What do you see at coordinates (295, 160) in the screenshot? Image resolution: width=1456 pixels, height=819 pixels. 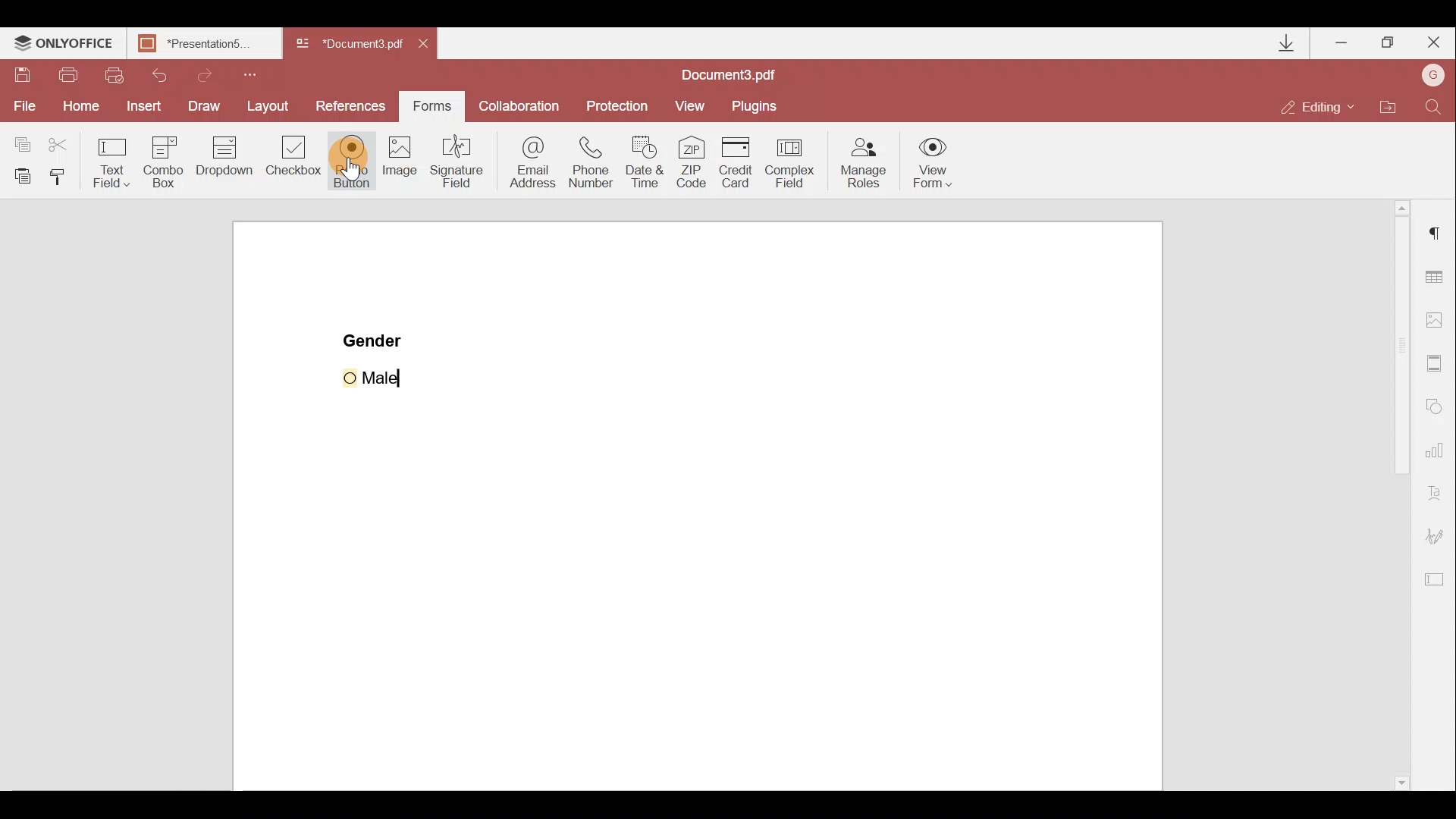 I see `Checkbox` at bounding box center [295, 160].